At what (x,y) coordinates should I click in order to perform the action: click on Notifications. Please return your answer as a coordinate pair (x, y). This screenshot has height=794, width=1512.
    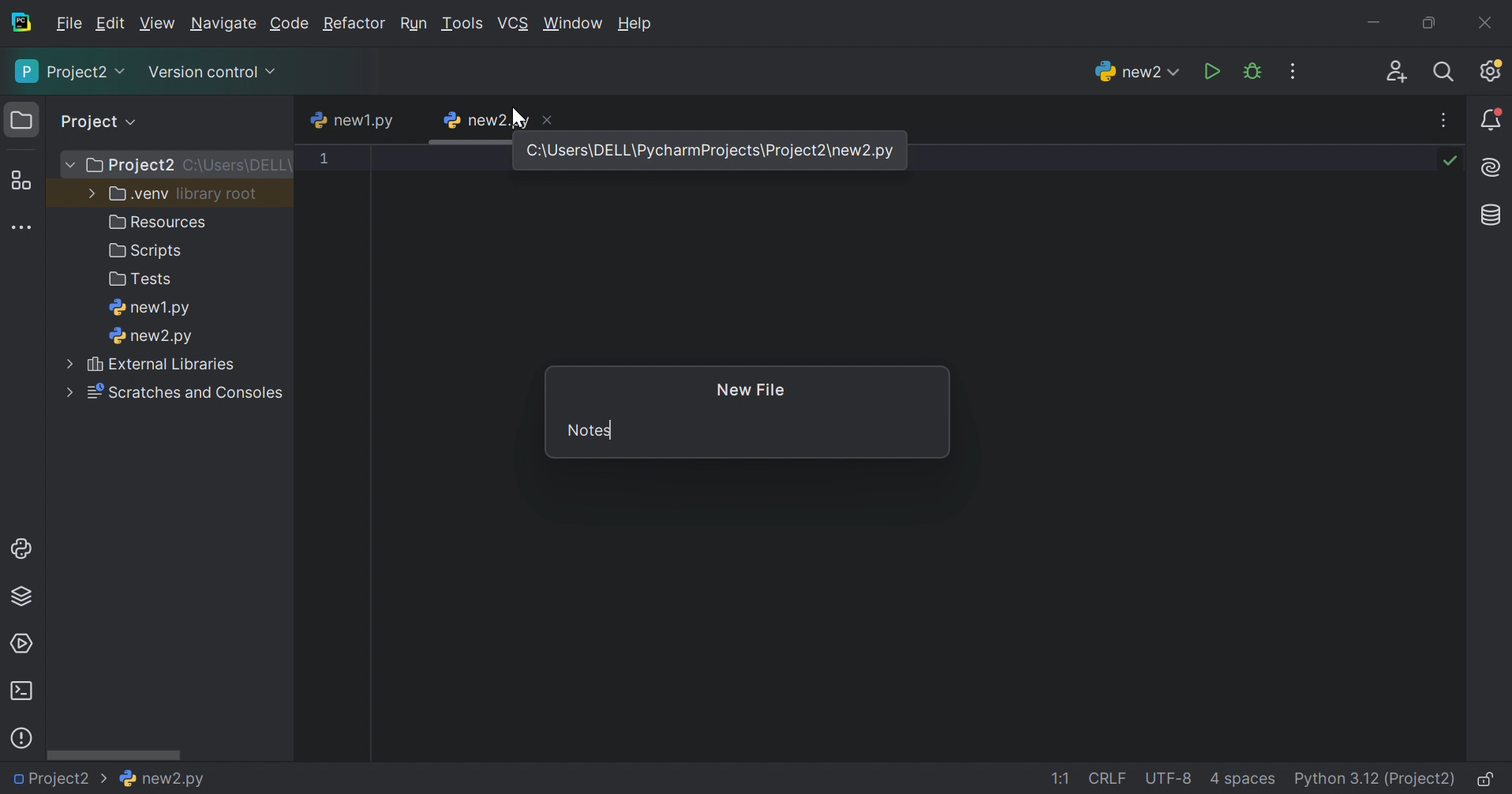
    Looking at the image, I should click on (1492, 119).